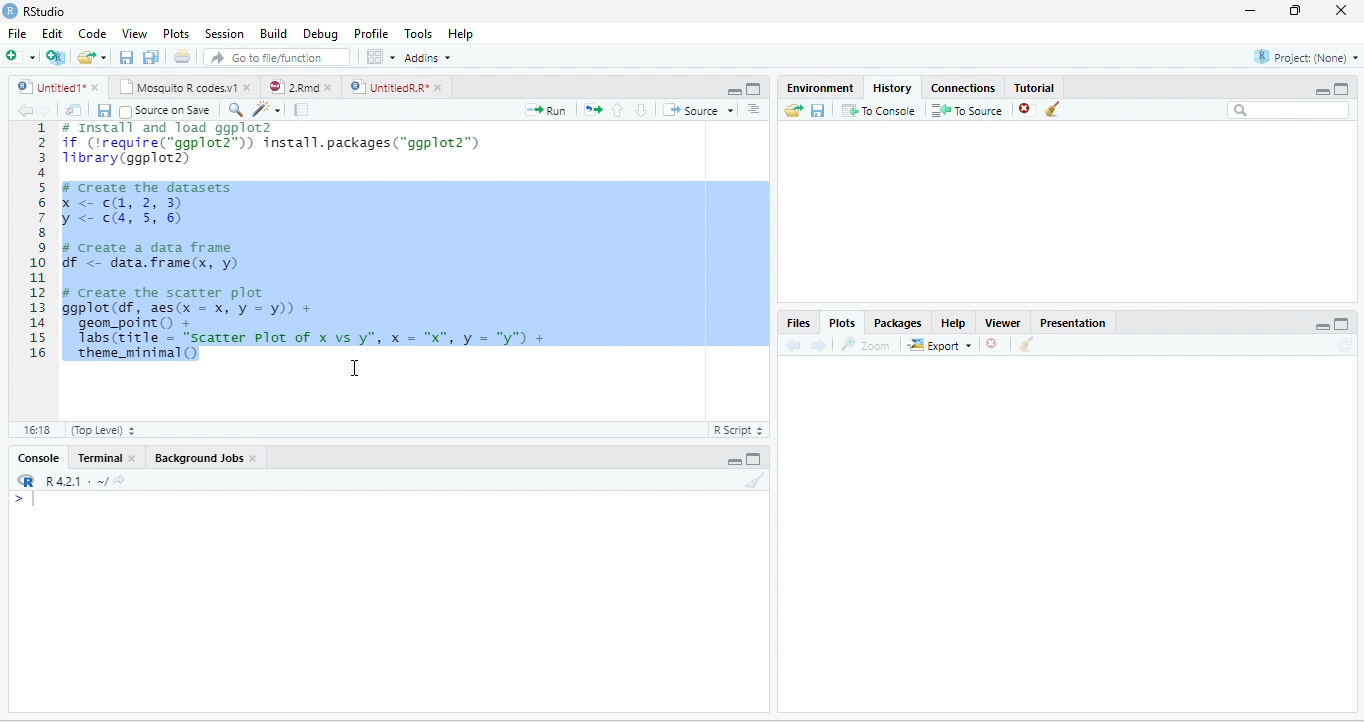 The image size is (1364, 722). What do you see at coordinates (1342, 89) in the screenshot?
I see `Maximize` at bounding box center [1342, 89].